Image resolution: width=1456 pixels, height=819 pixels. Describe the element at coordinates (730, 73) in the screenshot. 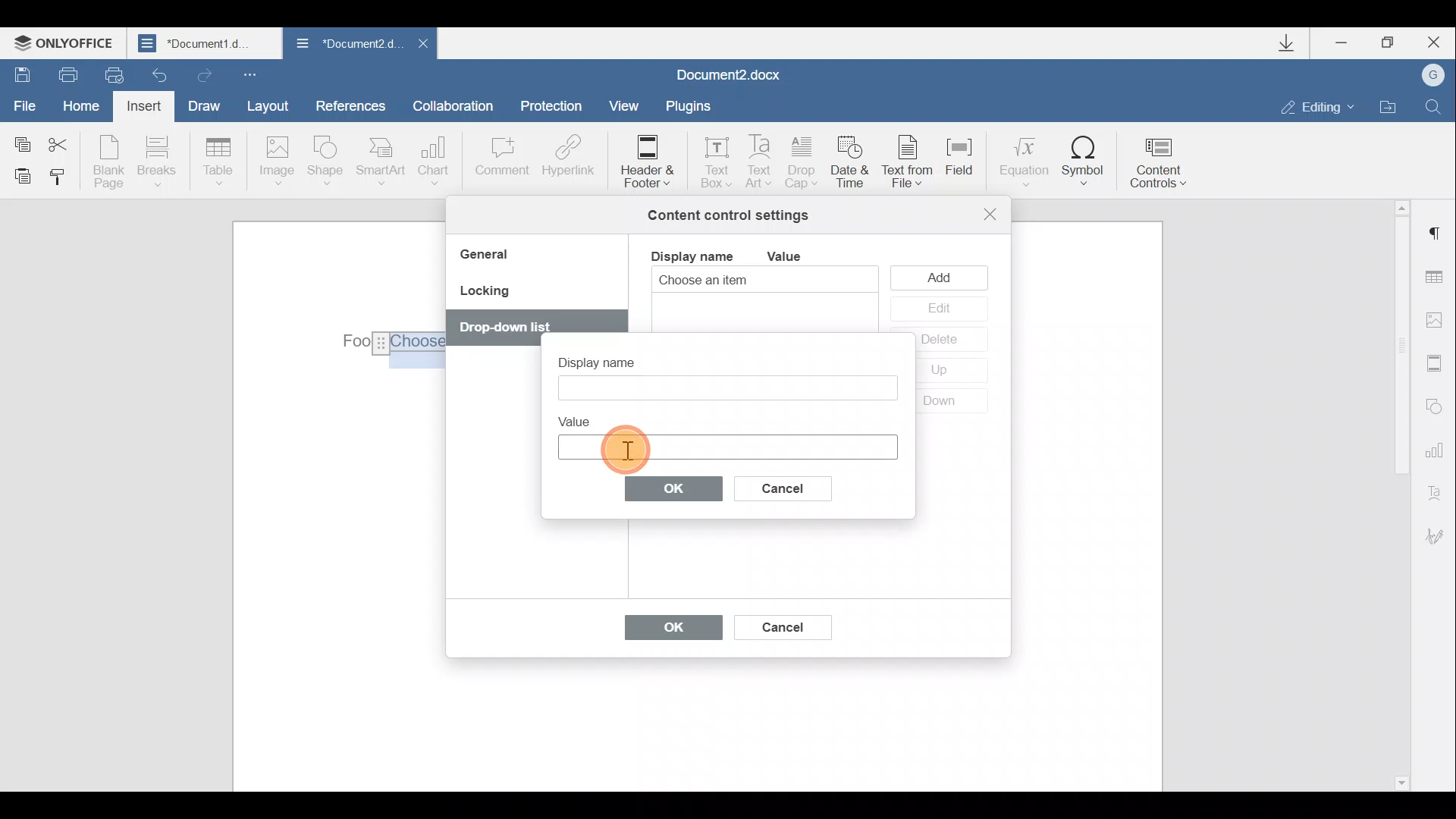

I see `Document2.docx` at that location.